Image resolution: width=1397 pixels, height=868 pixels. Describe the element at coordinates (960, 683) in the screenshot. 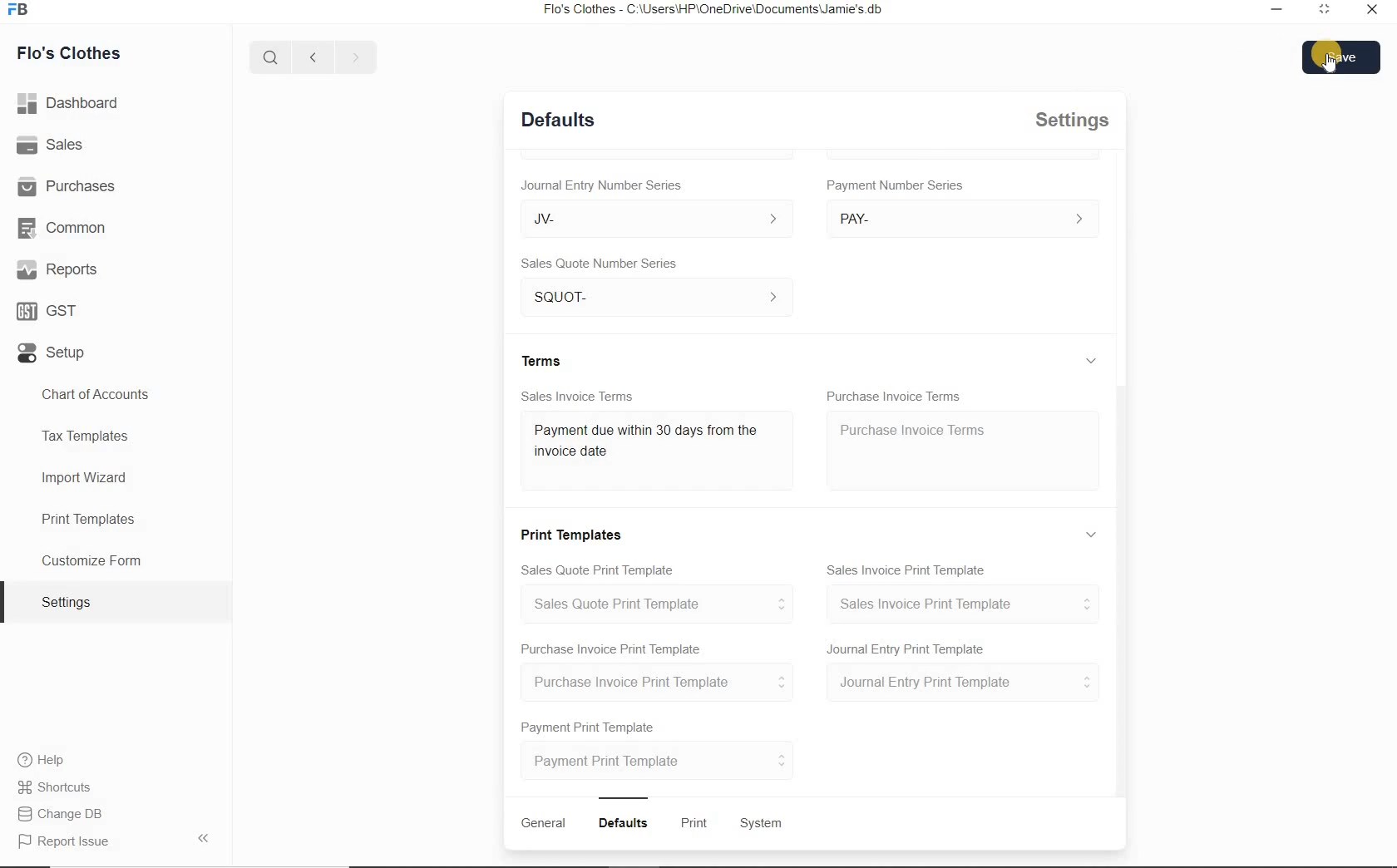

I see `Journal Entry Print Template` at that location.